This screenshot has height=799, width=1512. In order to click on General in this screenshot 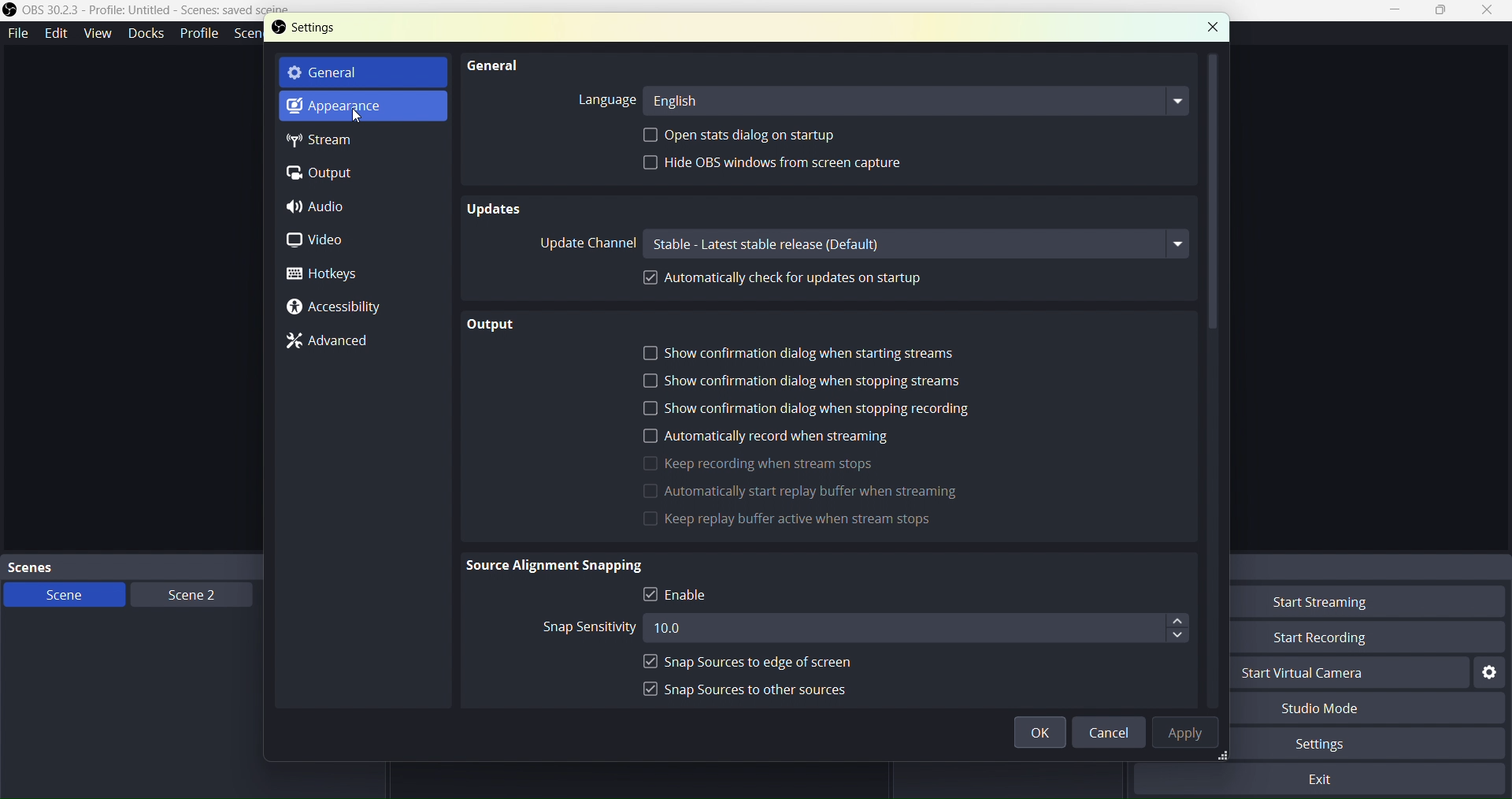, I will do `click(495, 64)`.